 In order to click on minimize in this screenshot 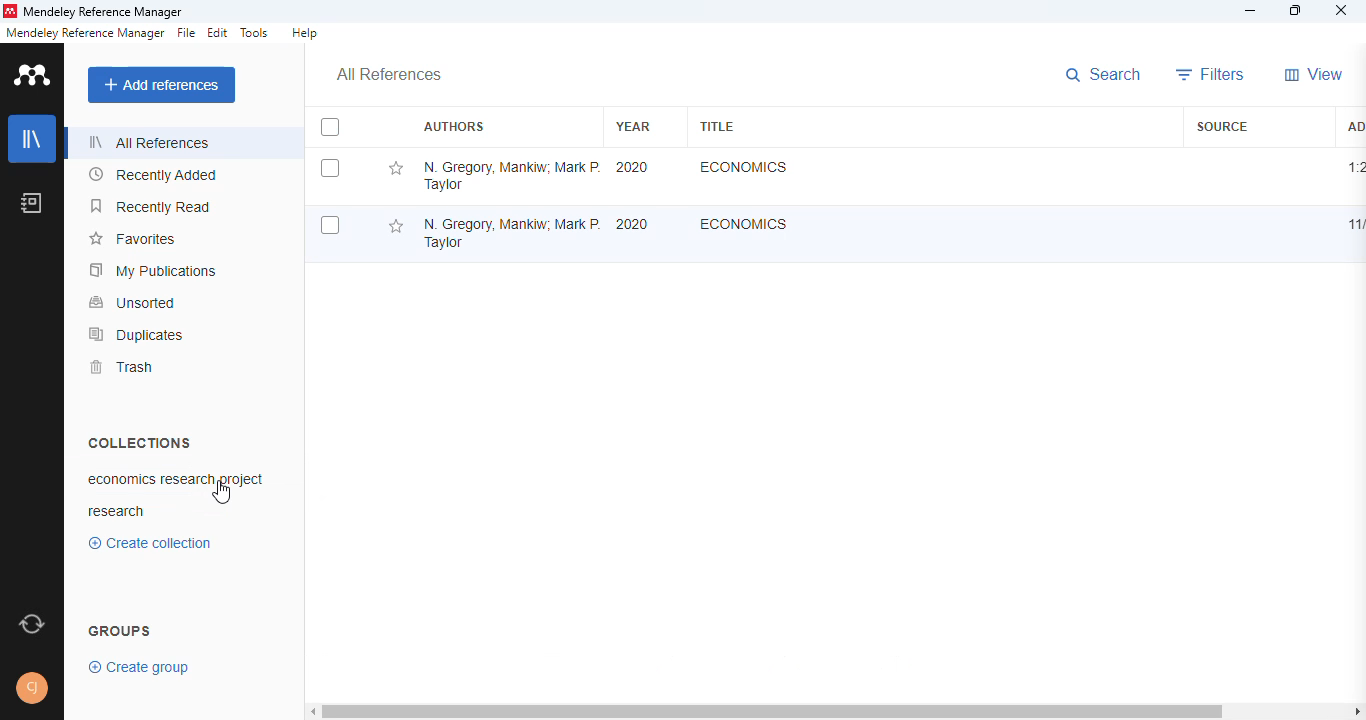, I will do `click(1252, 11)`.